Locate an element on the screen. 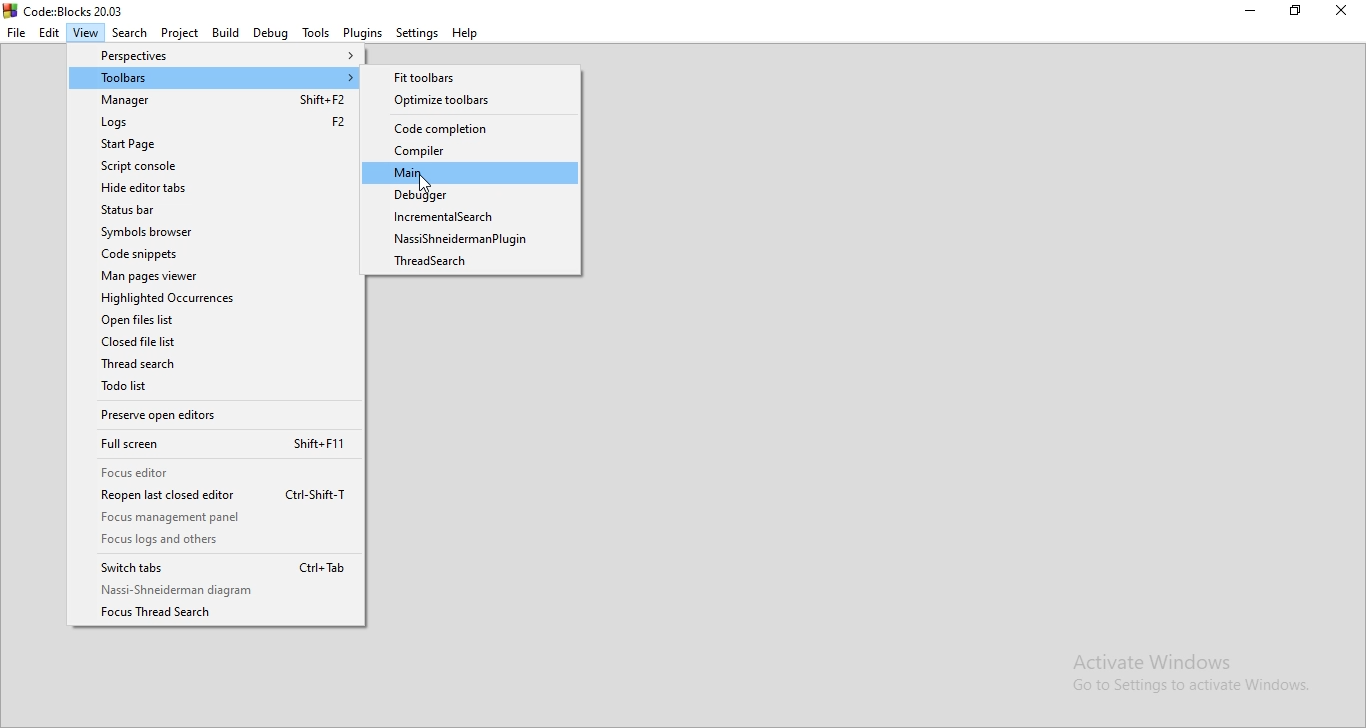 Image resolution: width=1366 pixels, height=728 pixels. Search  is located at coordinates (130, 33).